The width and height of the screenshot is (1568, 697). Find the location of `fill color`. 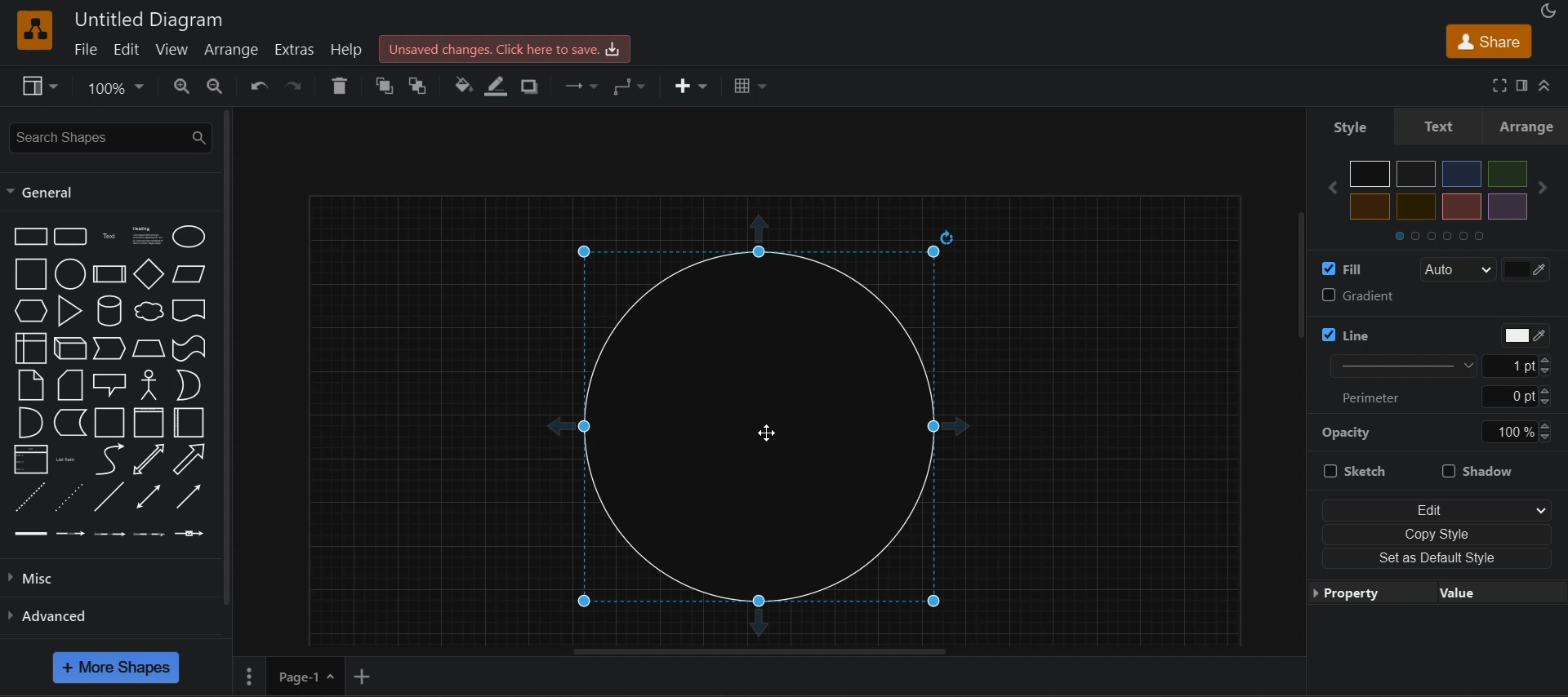

fill color is located at coordinates (465, 87).